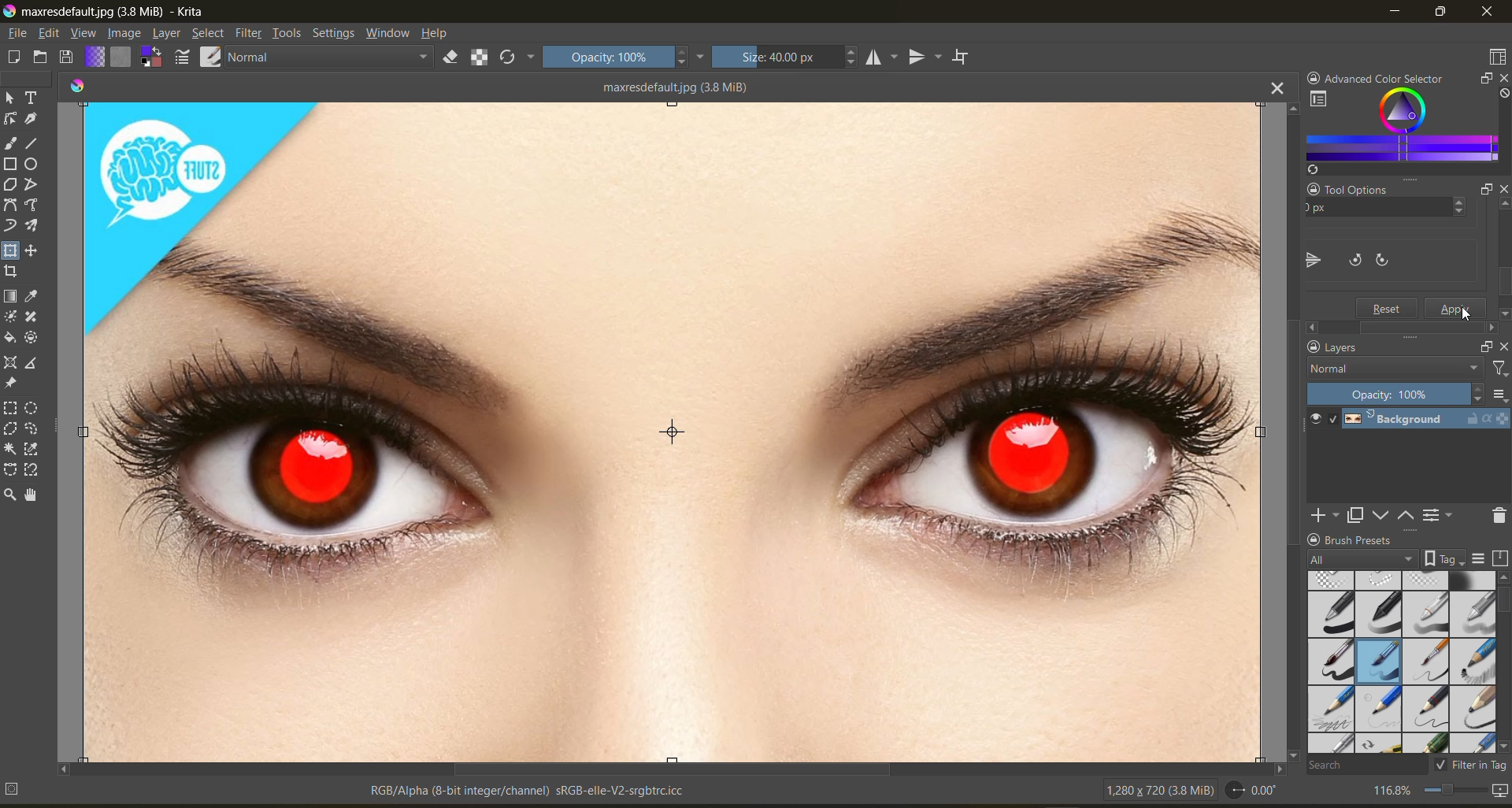 This screenshot has height=808, width=1512. I want to click on size , so click(789, 57).